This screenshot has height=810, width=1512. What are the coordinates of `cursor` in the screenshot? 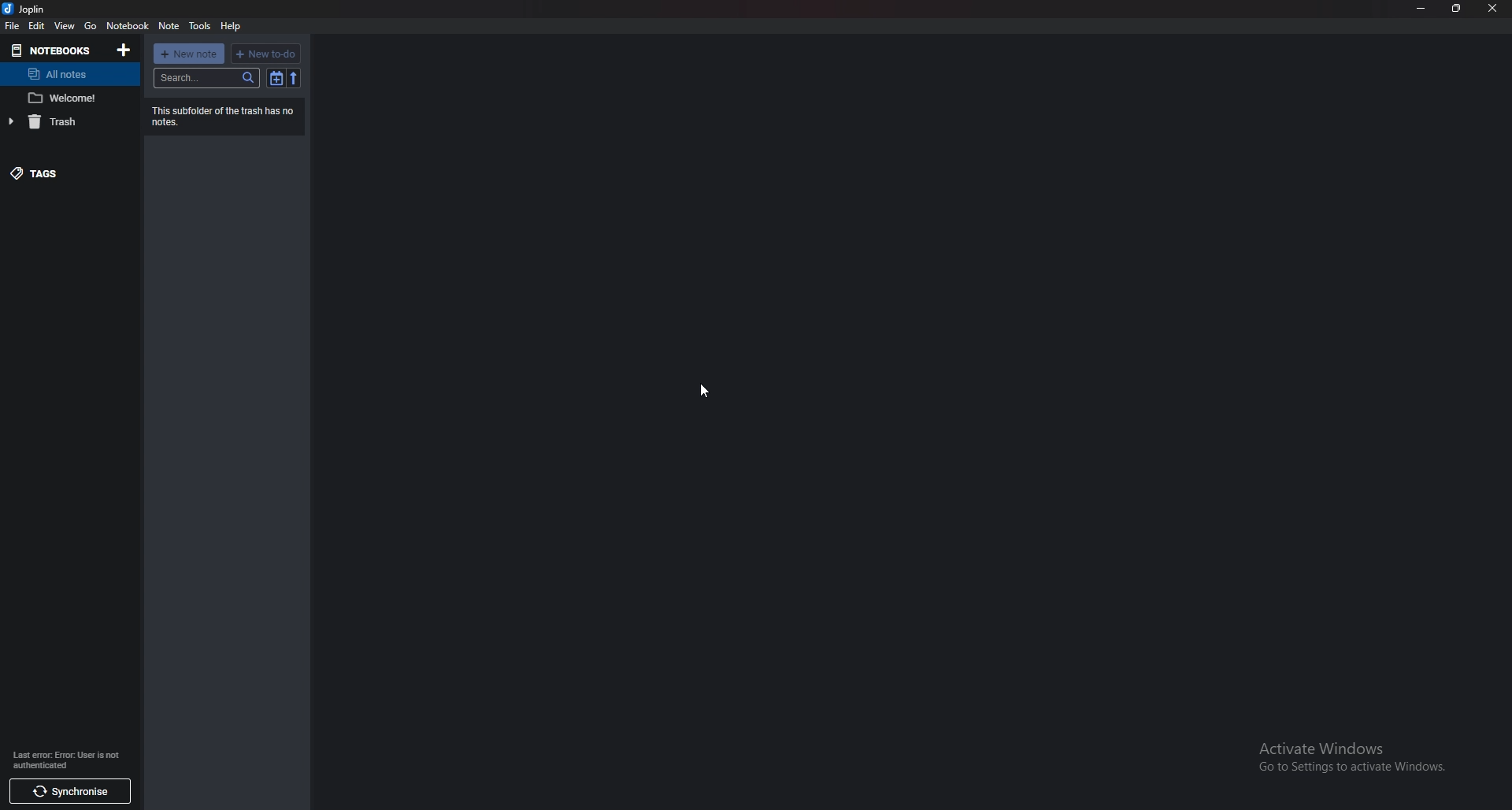 It's located at (705, 392).